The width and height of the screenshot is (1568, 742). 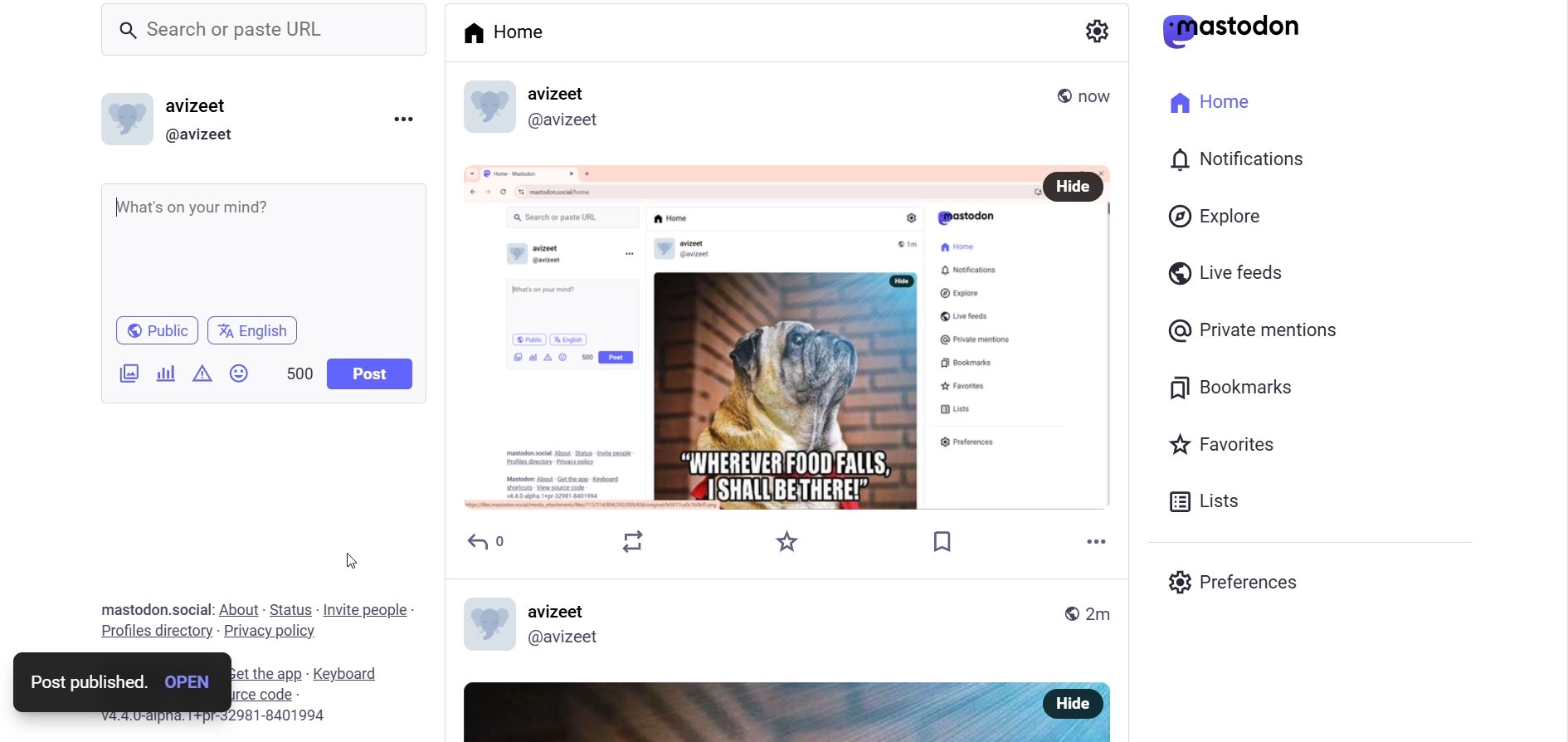 What do you see at coordinates (265, 244) in the screenshot?
I see `Whats on your mind` at bounding box center [265, 244].